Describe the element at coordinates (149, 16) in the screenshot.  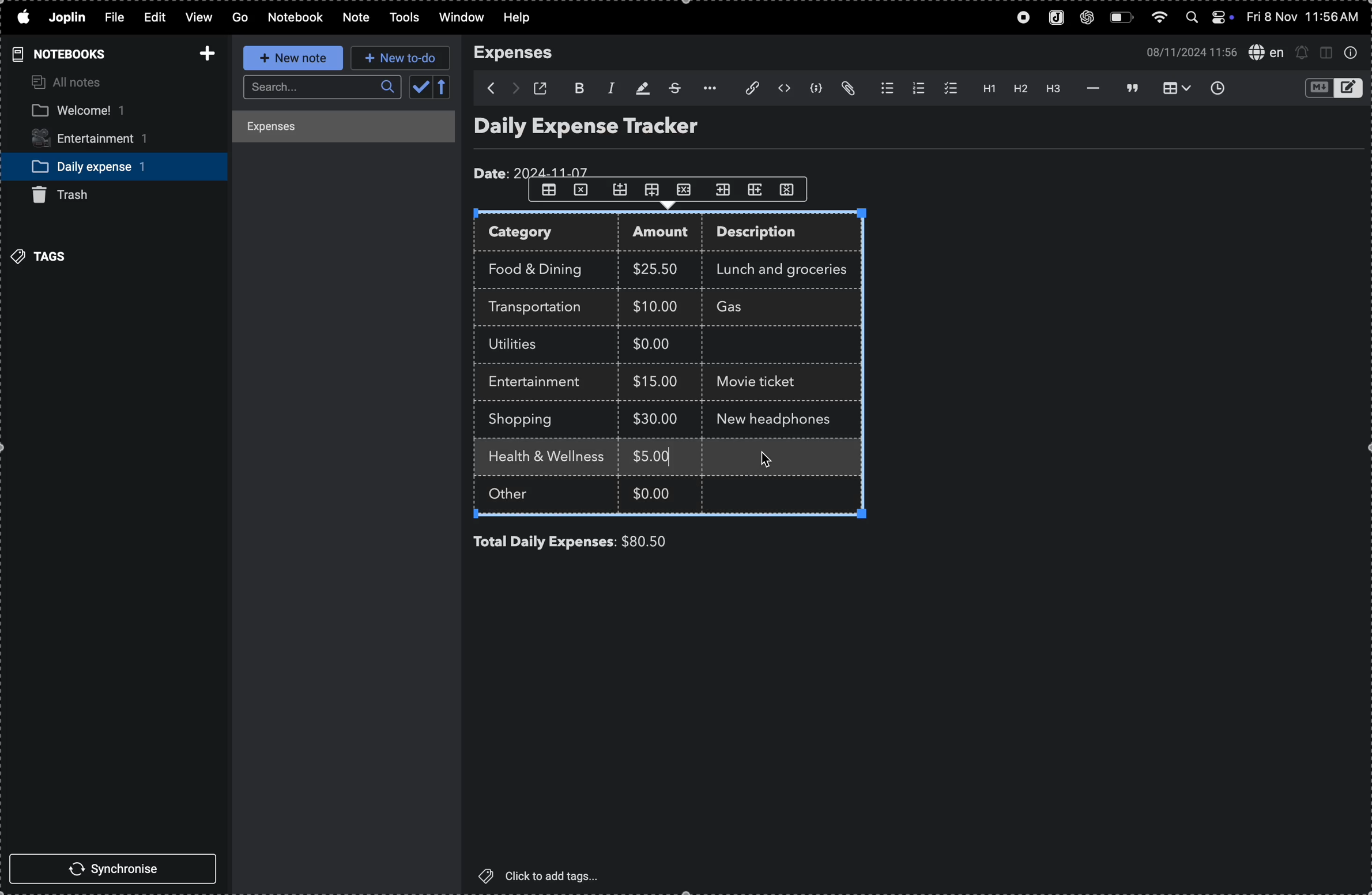
I see `edit` at that location.